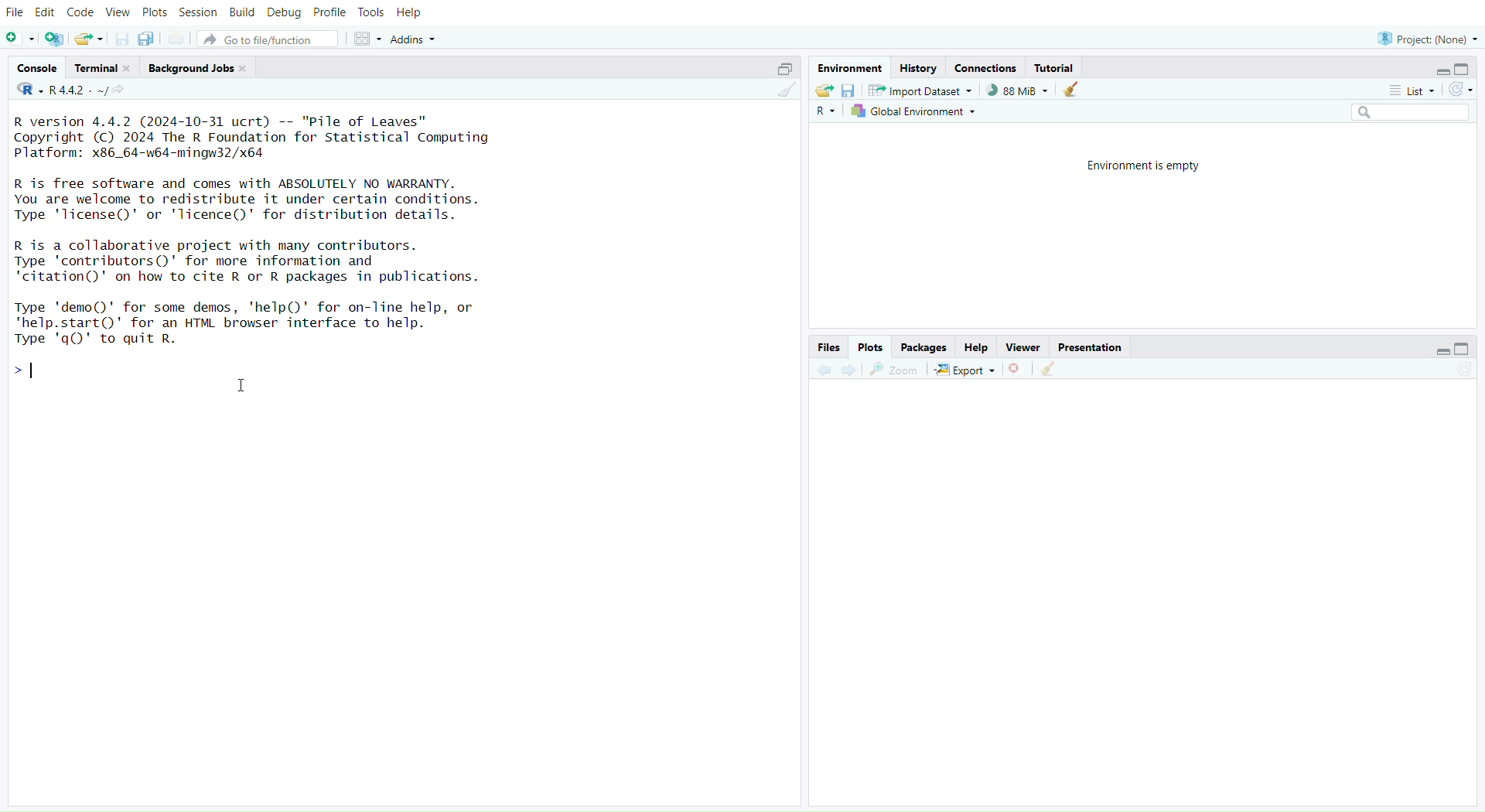  What do you see at coordinates (963, 371) in the screenshot?
I see `export` at bounding box center [963, 371].